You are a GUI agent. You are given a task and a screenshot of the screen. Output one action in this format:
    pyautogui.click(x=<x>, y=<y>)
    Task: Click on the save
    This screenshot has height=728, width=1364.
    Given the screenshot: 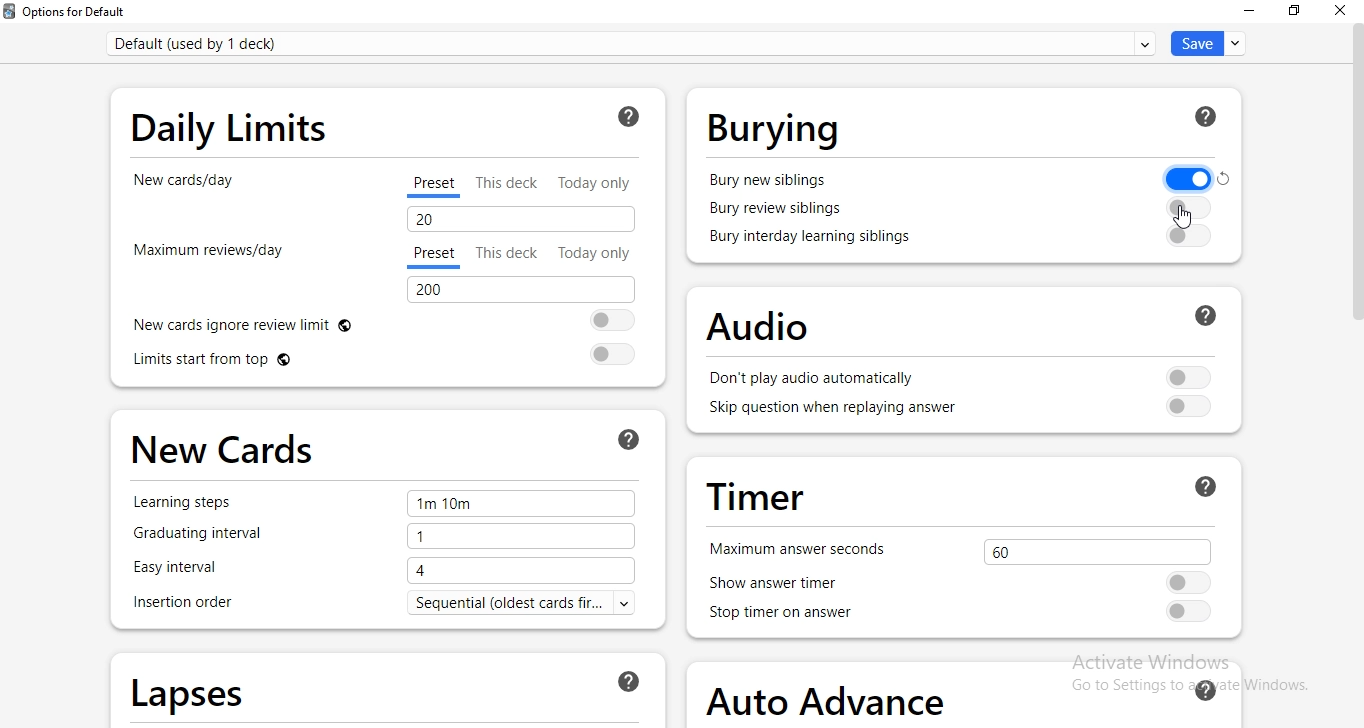 What is the action you would take?
    pyautogui.click(x=1205, y=43)
    